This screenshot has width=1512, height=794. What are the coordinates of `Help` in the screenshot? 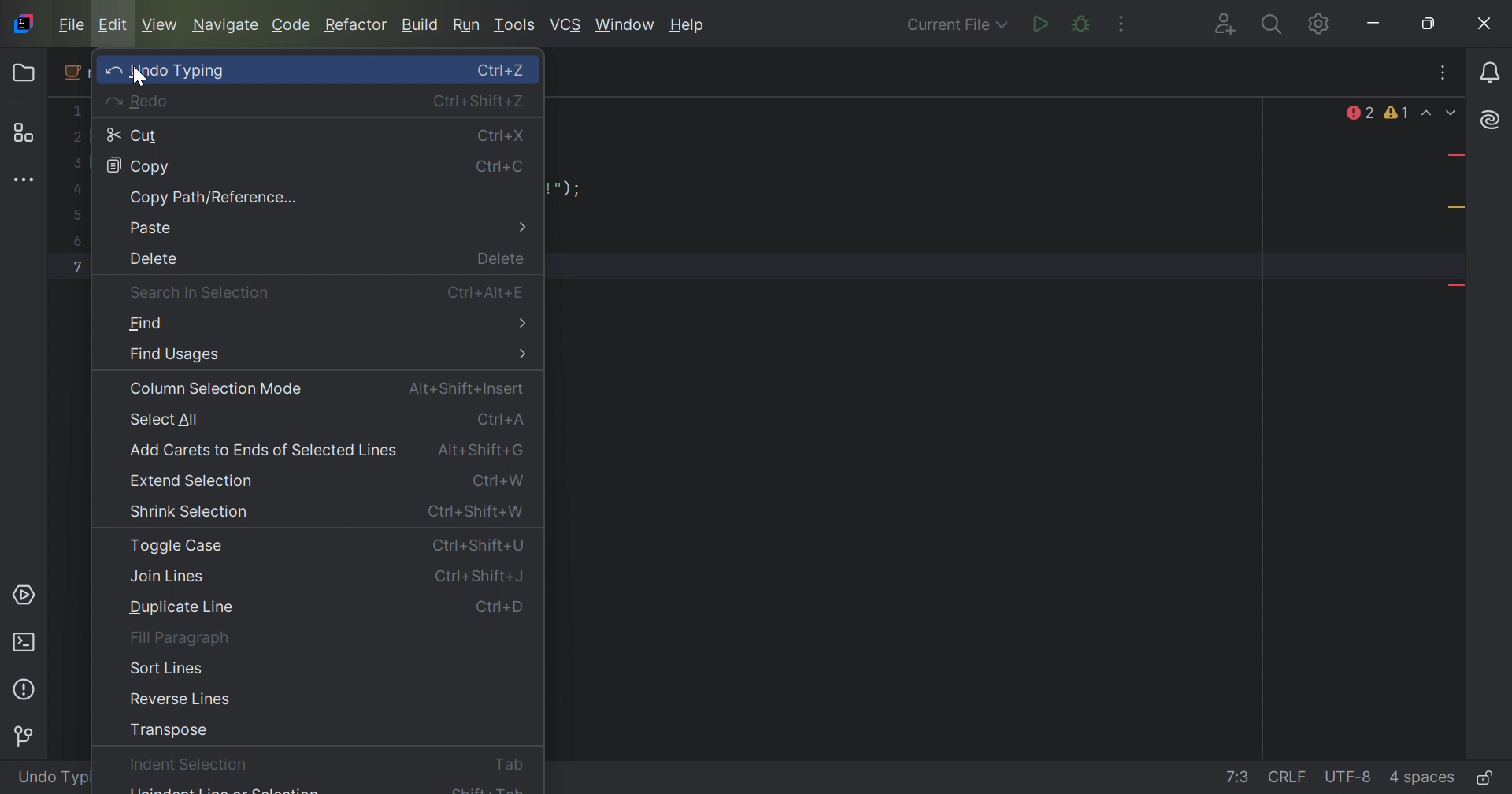 It's located at (688, 26).